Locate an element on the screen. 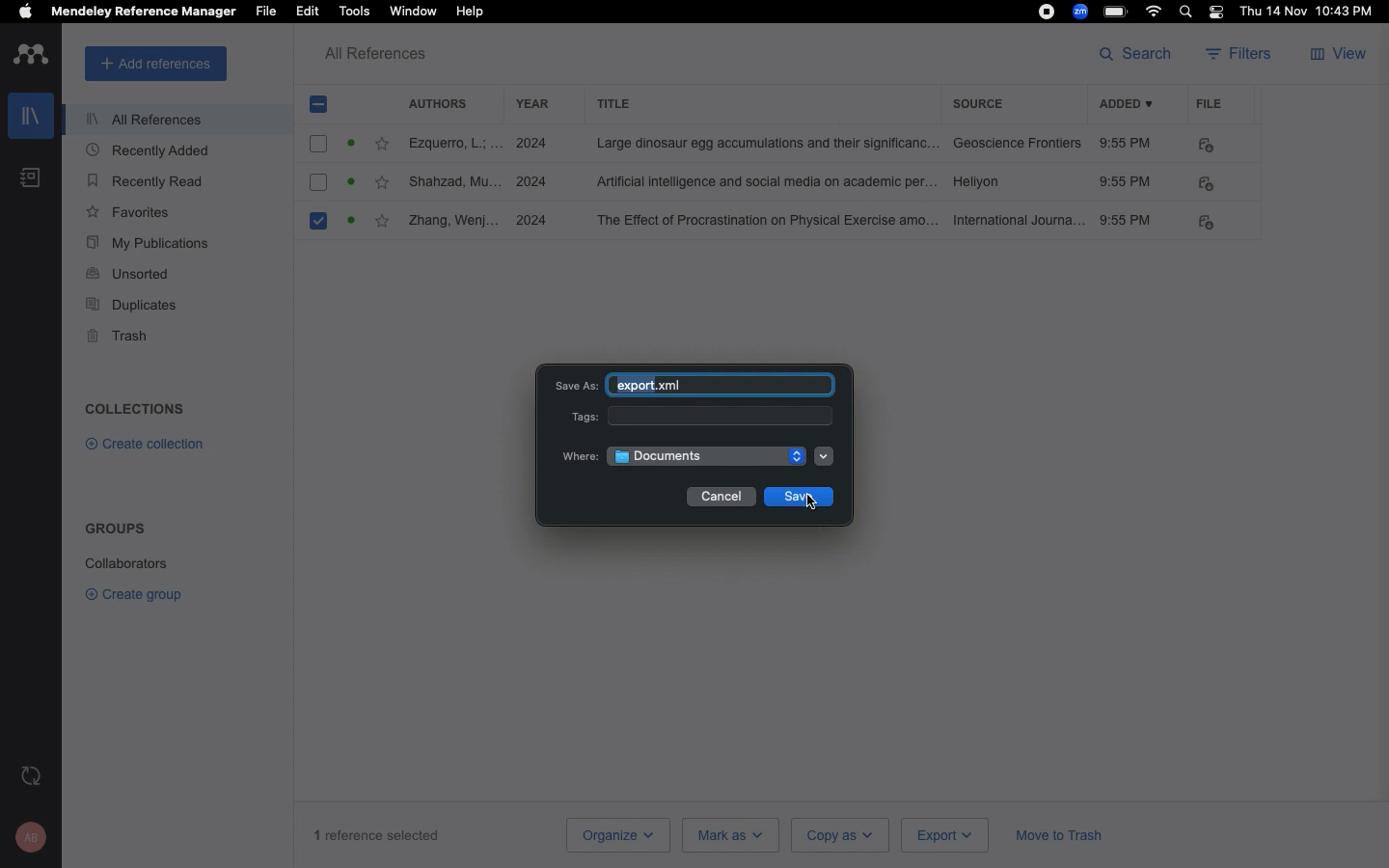  Organize is located at coordinates (616, 835).